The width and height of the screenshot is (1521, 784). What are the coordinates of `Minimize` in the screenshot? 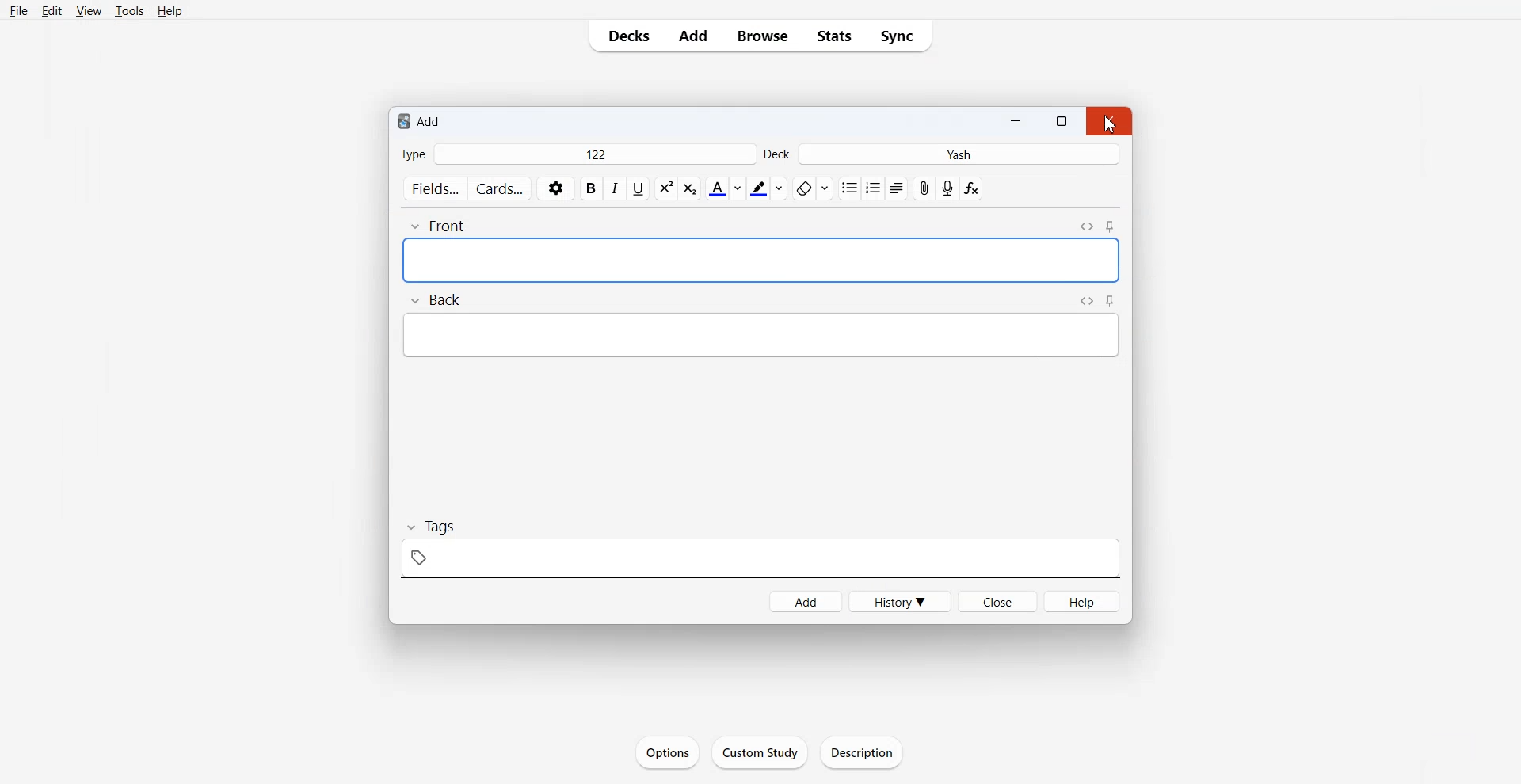 It's located at (1014, 120).